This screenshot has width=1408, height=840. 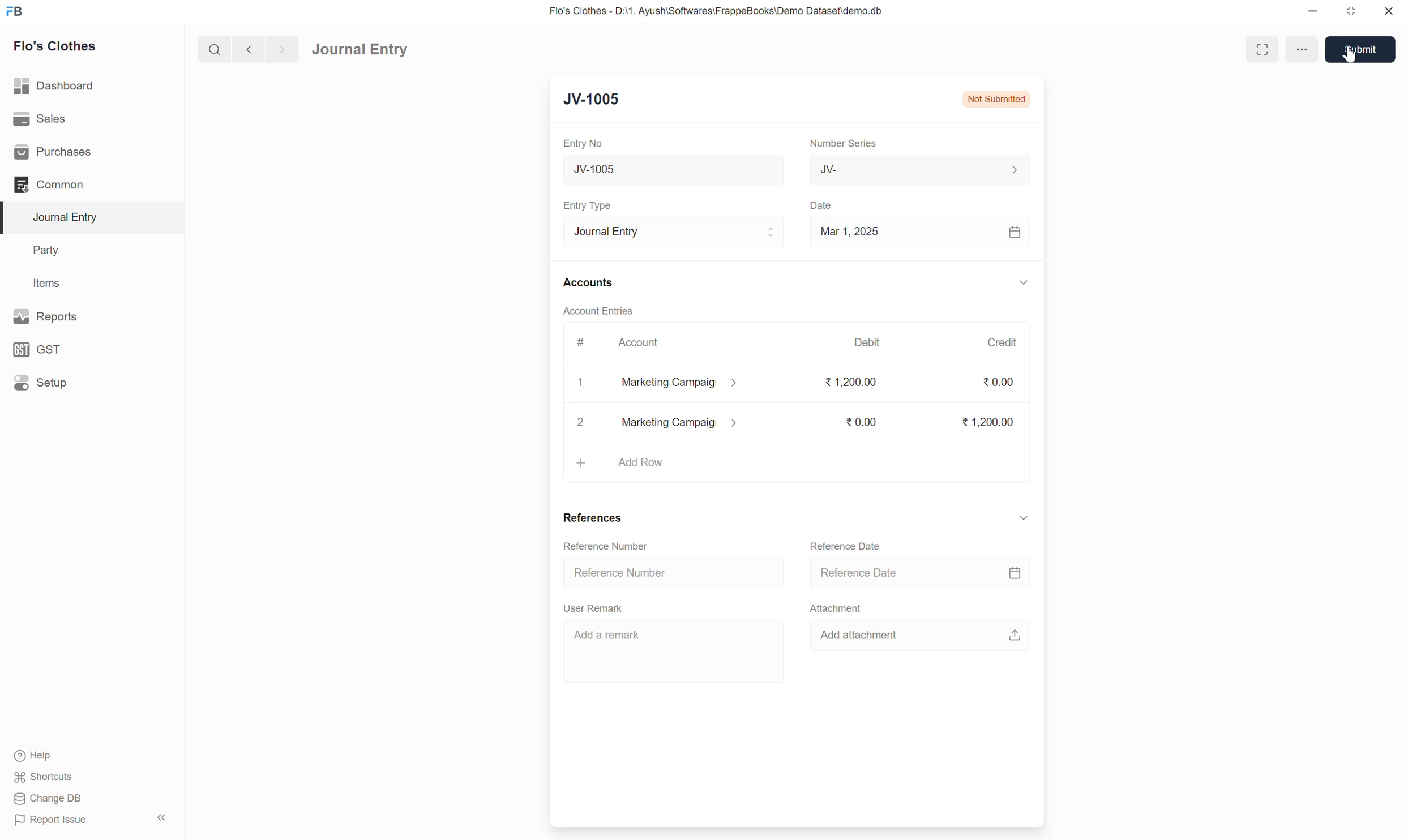 I want to click on Journal Entry, so click(x=70, y=217).